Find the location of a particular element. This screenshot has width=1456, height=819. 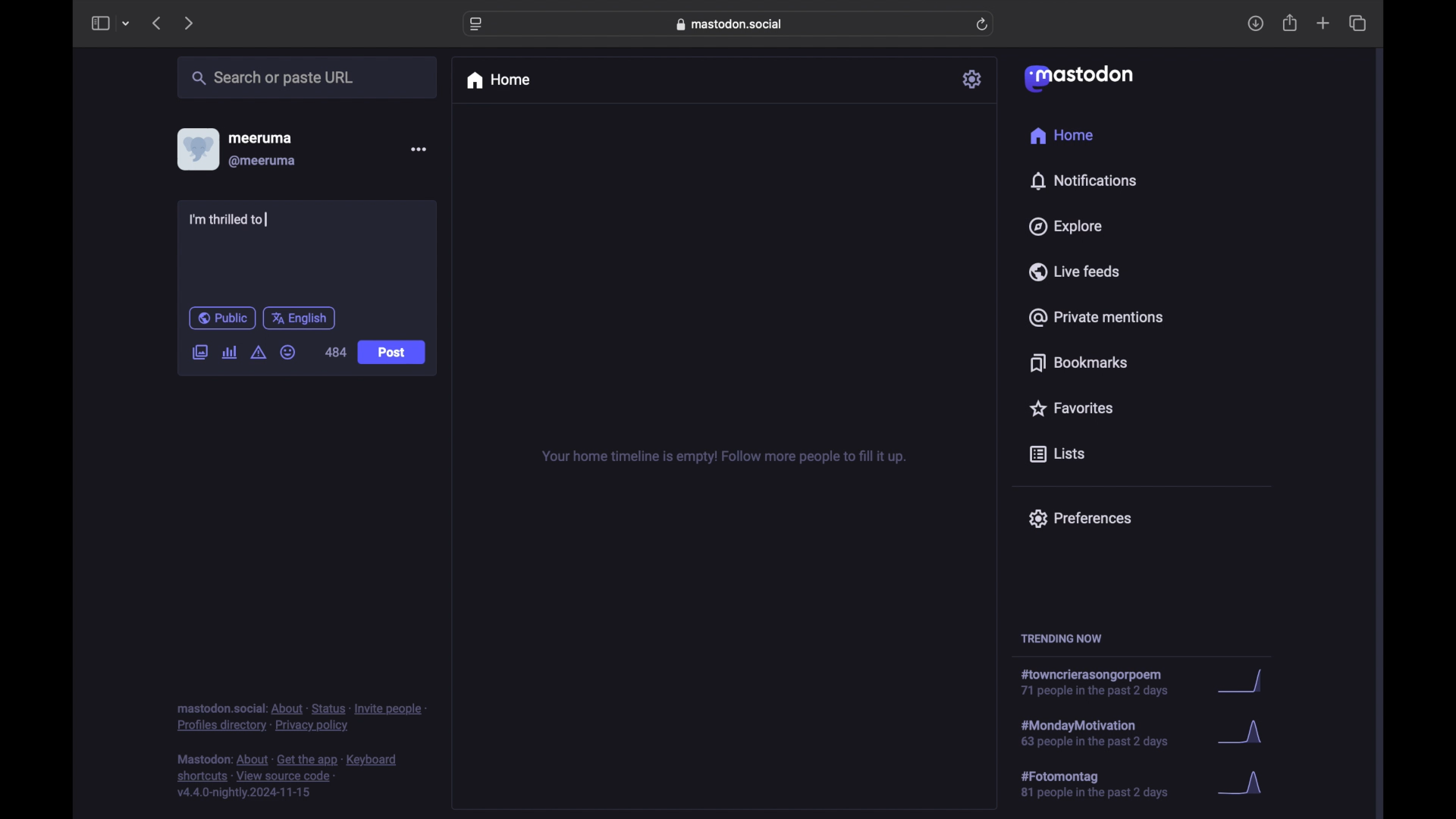

new tab overview is located at coordinates (1323, 23).